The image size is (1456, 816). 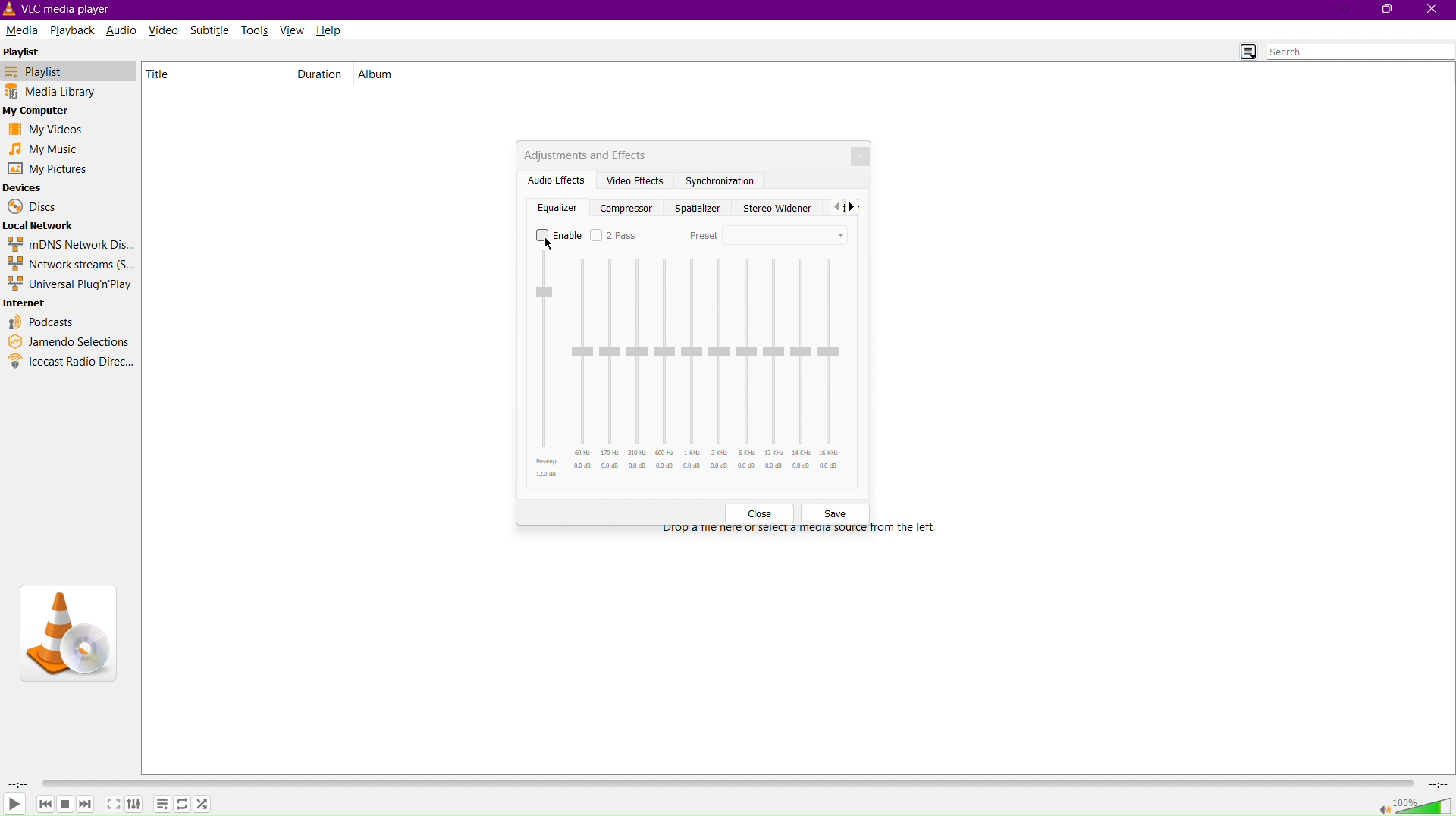 I want to click on Title, so click(x=165, y=74).